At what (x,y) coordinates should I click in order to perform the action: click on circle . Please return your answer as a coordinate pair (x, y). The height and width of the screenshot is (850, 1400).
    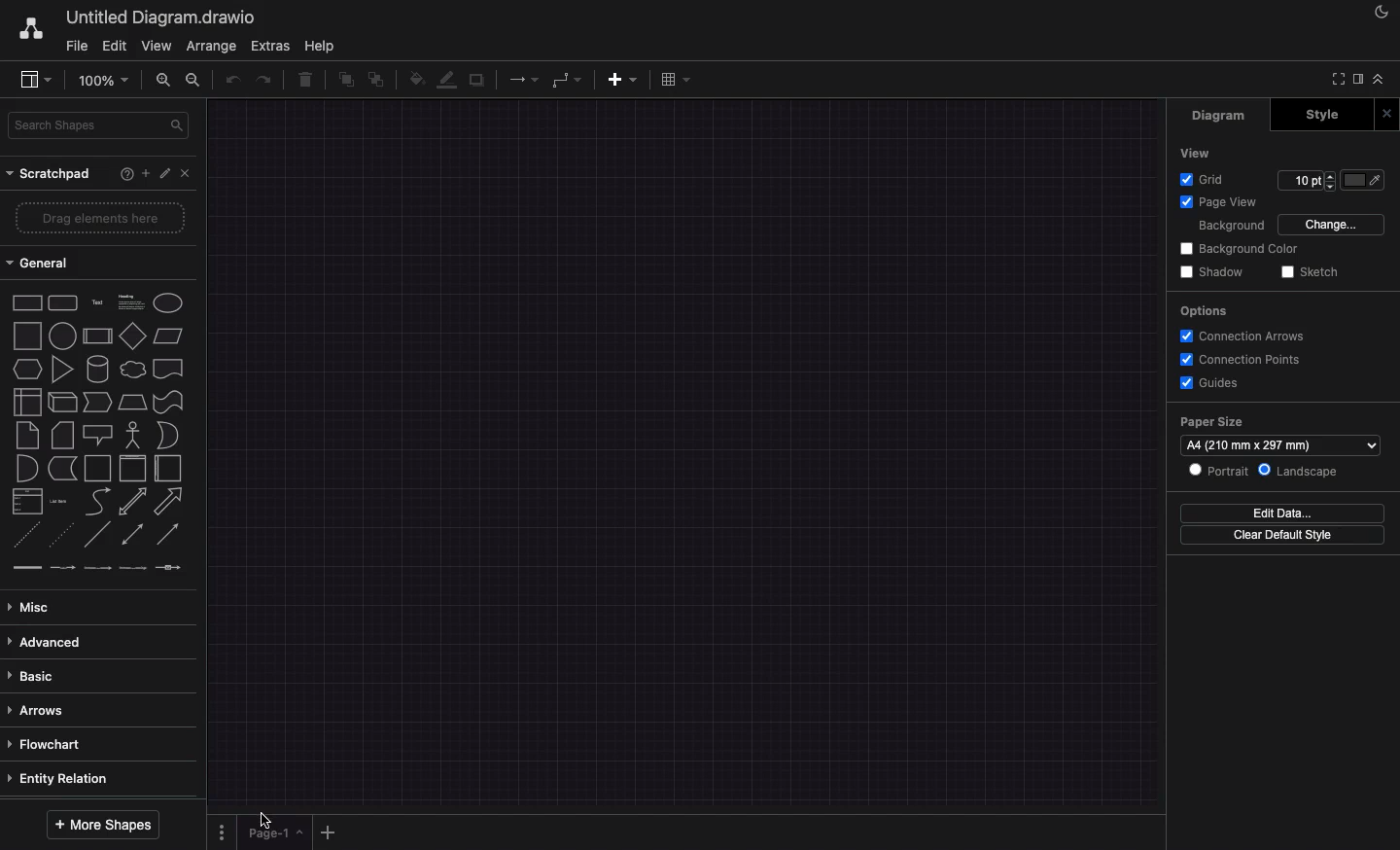
    Looking at the image, I should click on (64, 336).